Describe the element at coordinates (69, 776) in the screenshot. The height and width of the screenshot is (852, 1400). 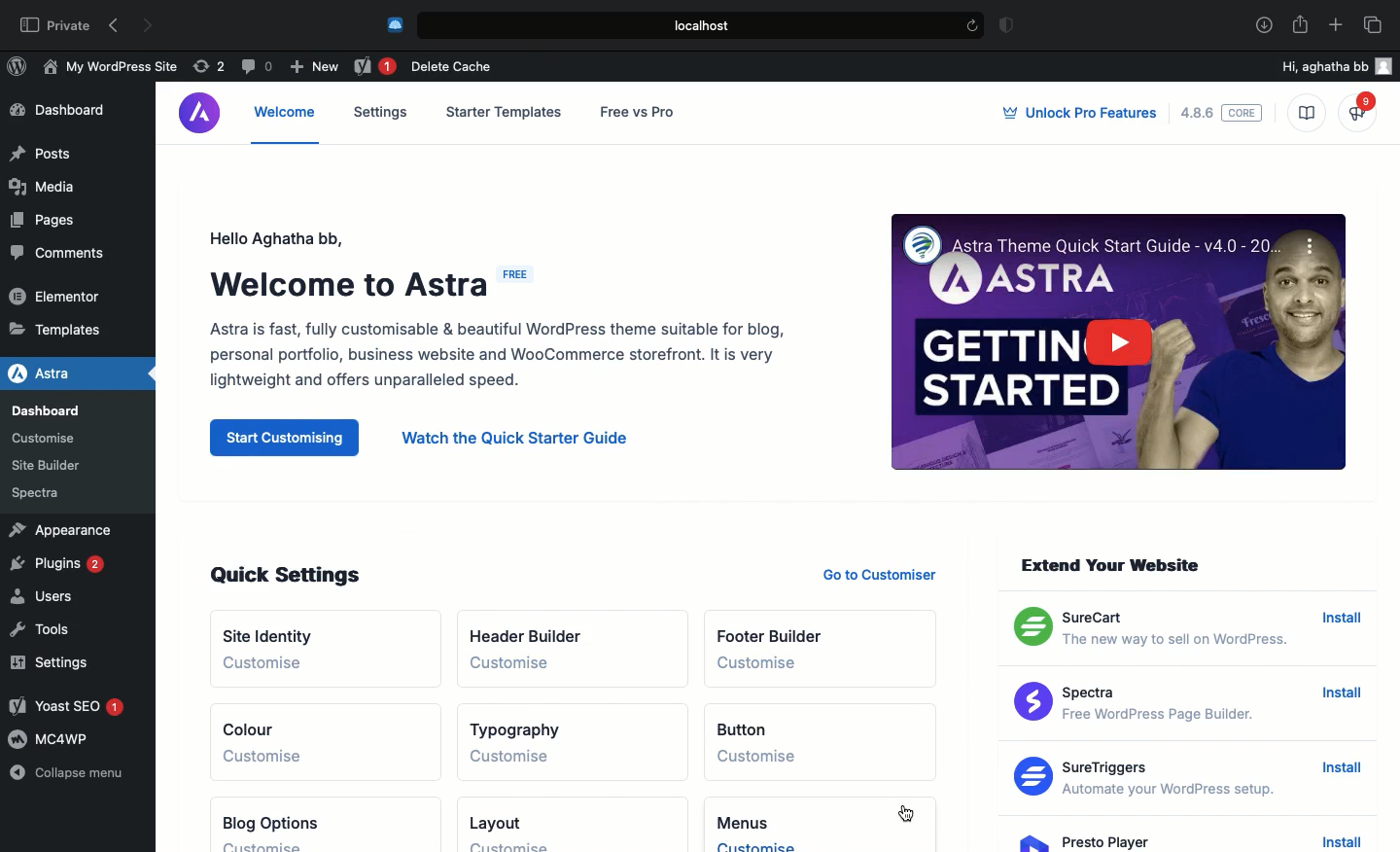
I see `Collapse menu` at that location.